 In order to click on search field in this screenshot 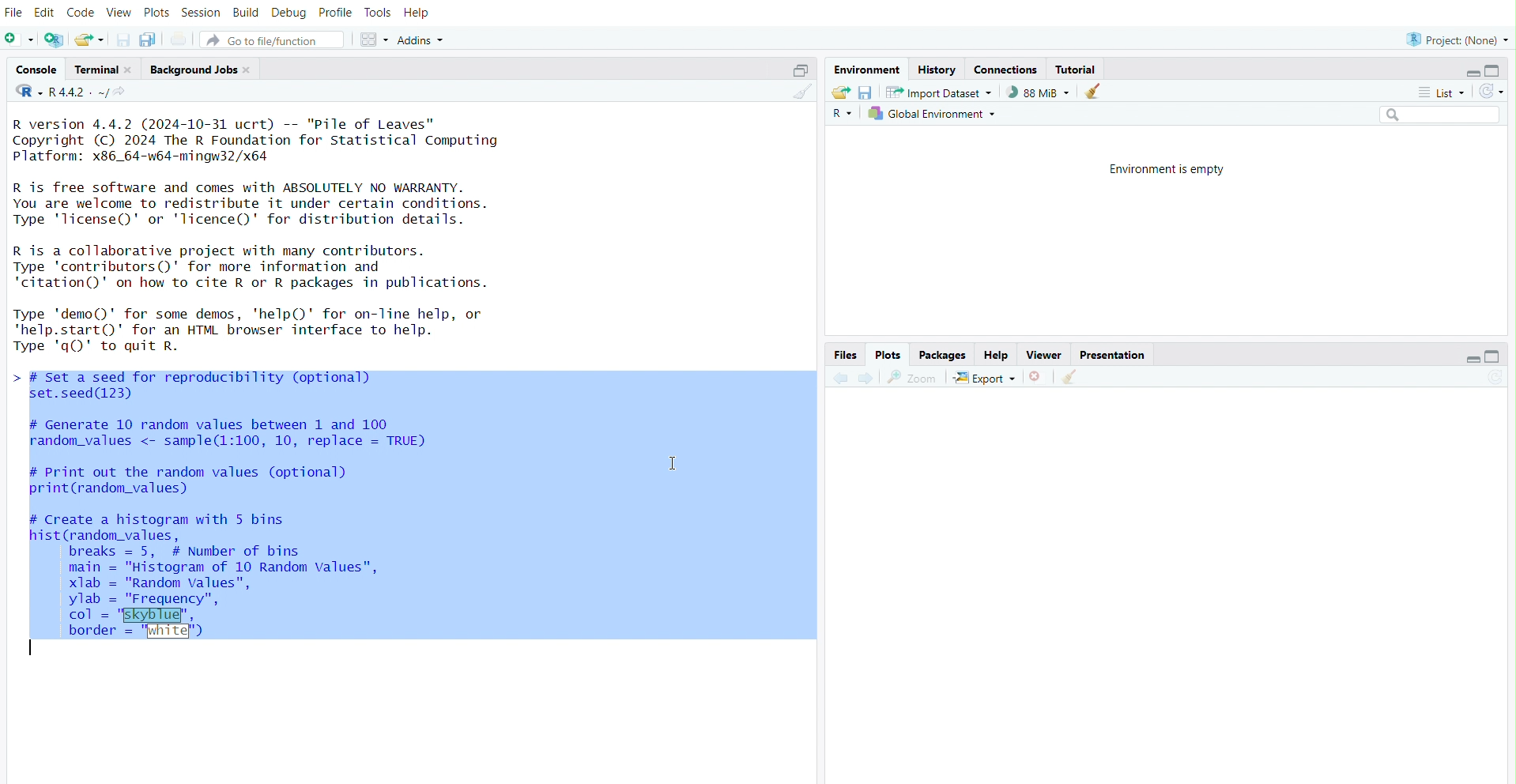, I will do `click(1441, 115)`.